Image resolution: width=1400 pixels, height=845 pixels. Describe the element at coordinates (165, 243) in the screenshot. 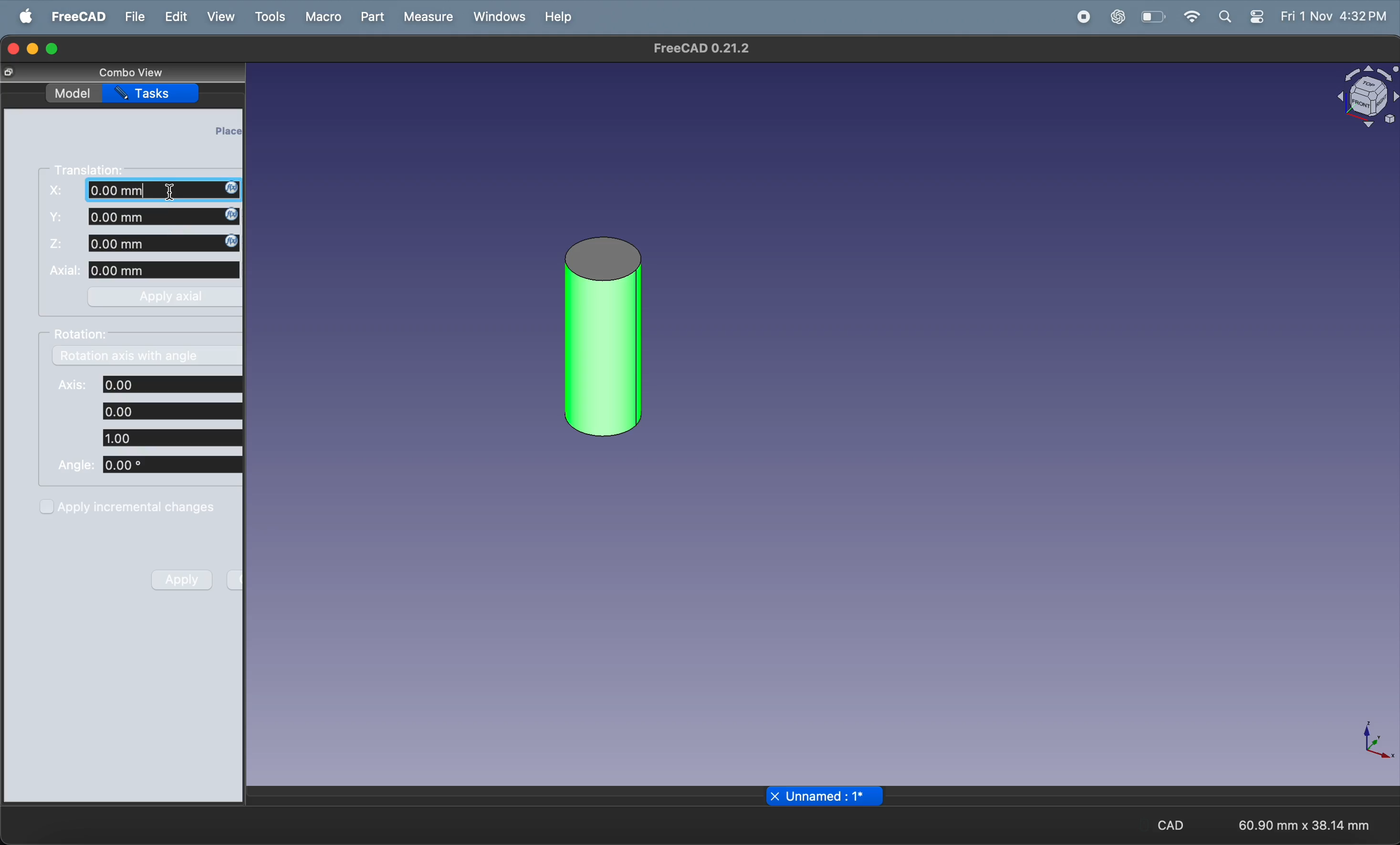

I see `z distance` at that location.